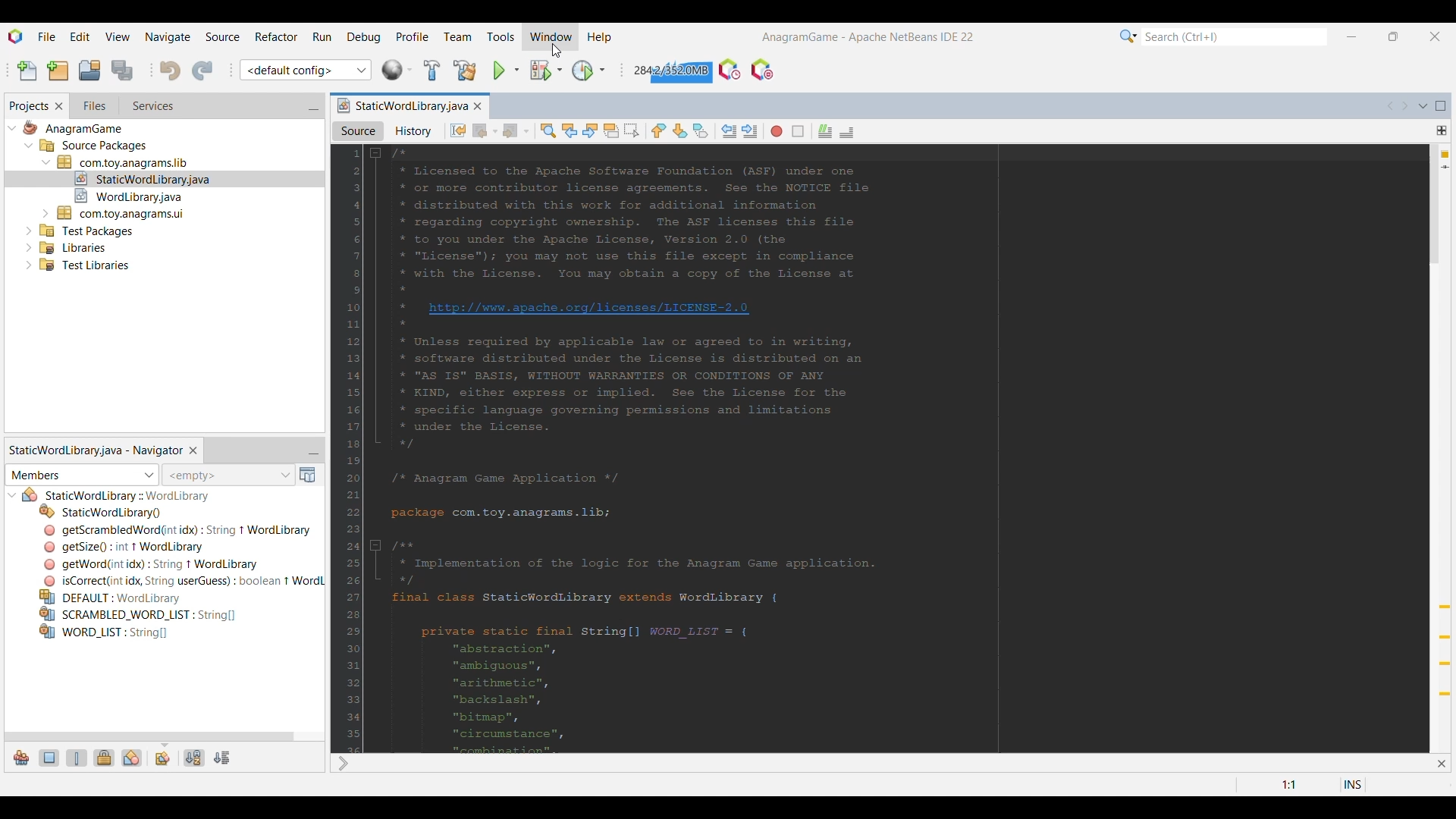 The height and width of the screenshot is (819, 1456). I want to click on Software logo, so click(16, 36).